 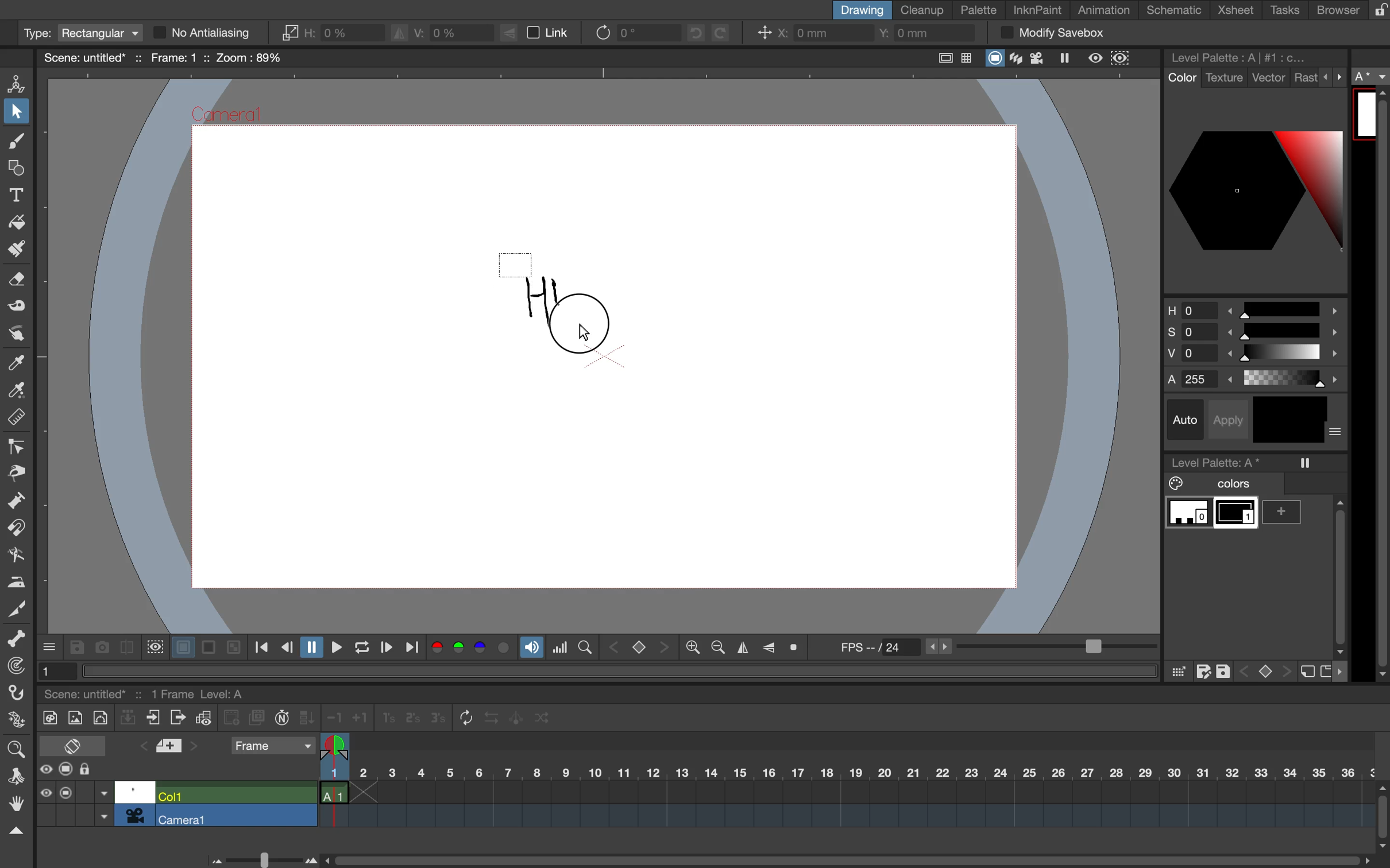 What do you see at coordinates (1264, 670) in the screenshot?
I see `switch between keys` at bounding box center [1264, 670].